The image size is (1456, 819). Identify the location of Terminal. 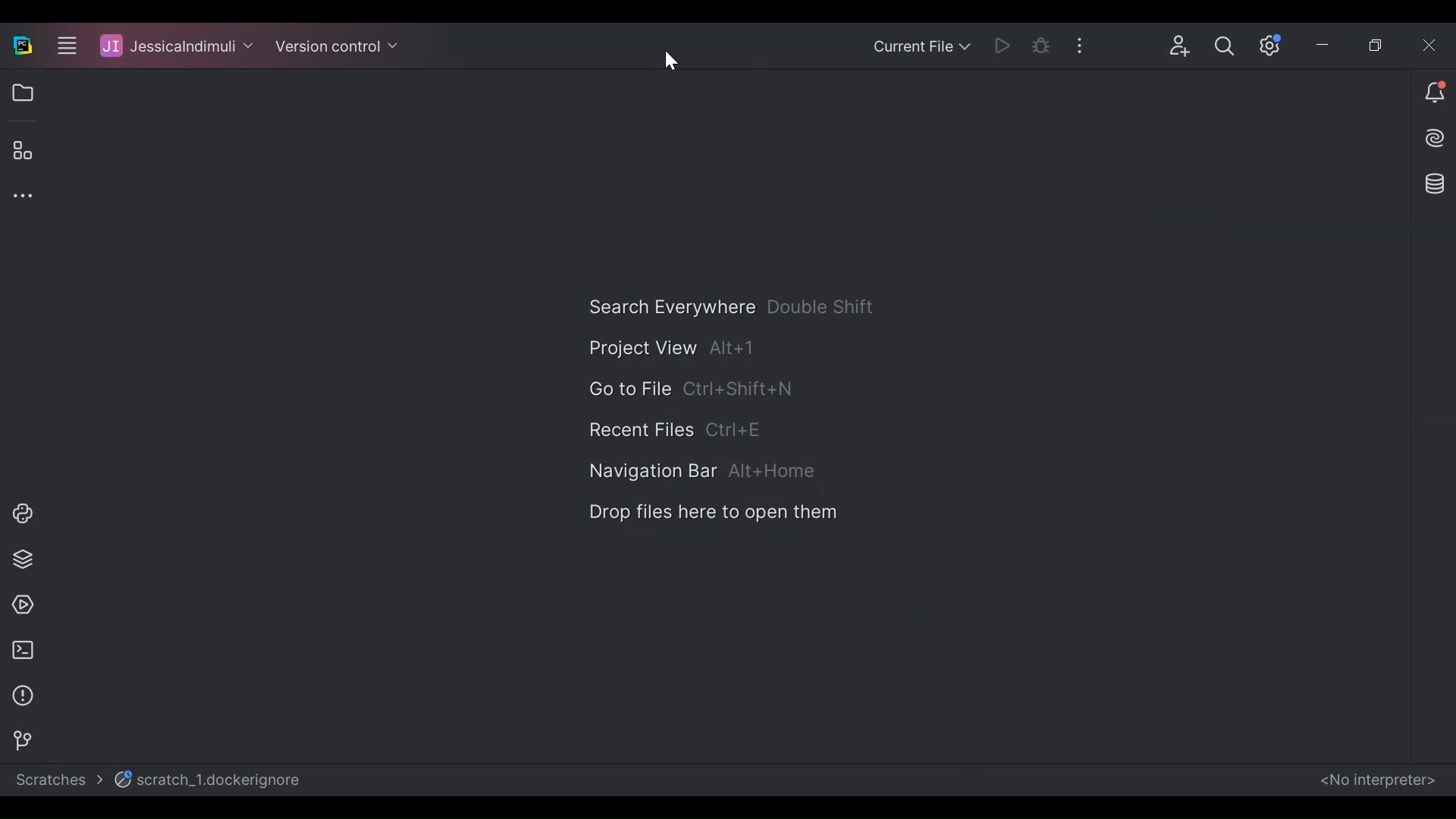
(22, 649).